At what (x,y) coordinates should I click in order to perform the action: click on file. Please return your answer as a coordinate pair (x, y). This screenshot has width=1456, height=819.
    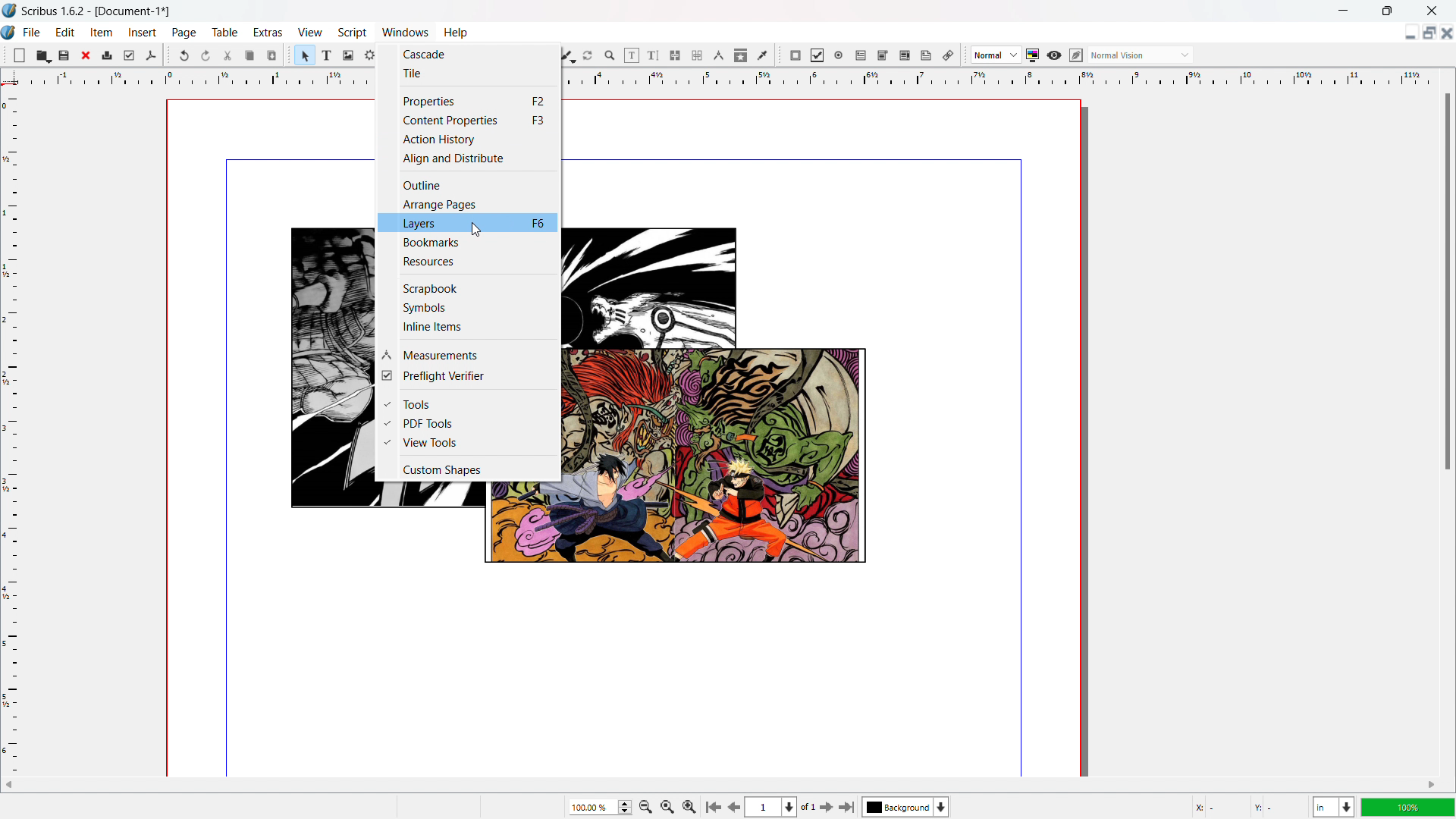
    Looking at the image, I should click on (33, 32).